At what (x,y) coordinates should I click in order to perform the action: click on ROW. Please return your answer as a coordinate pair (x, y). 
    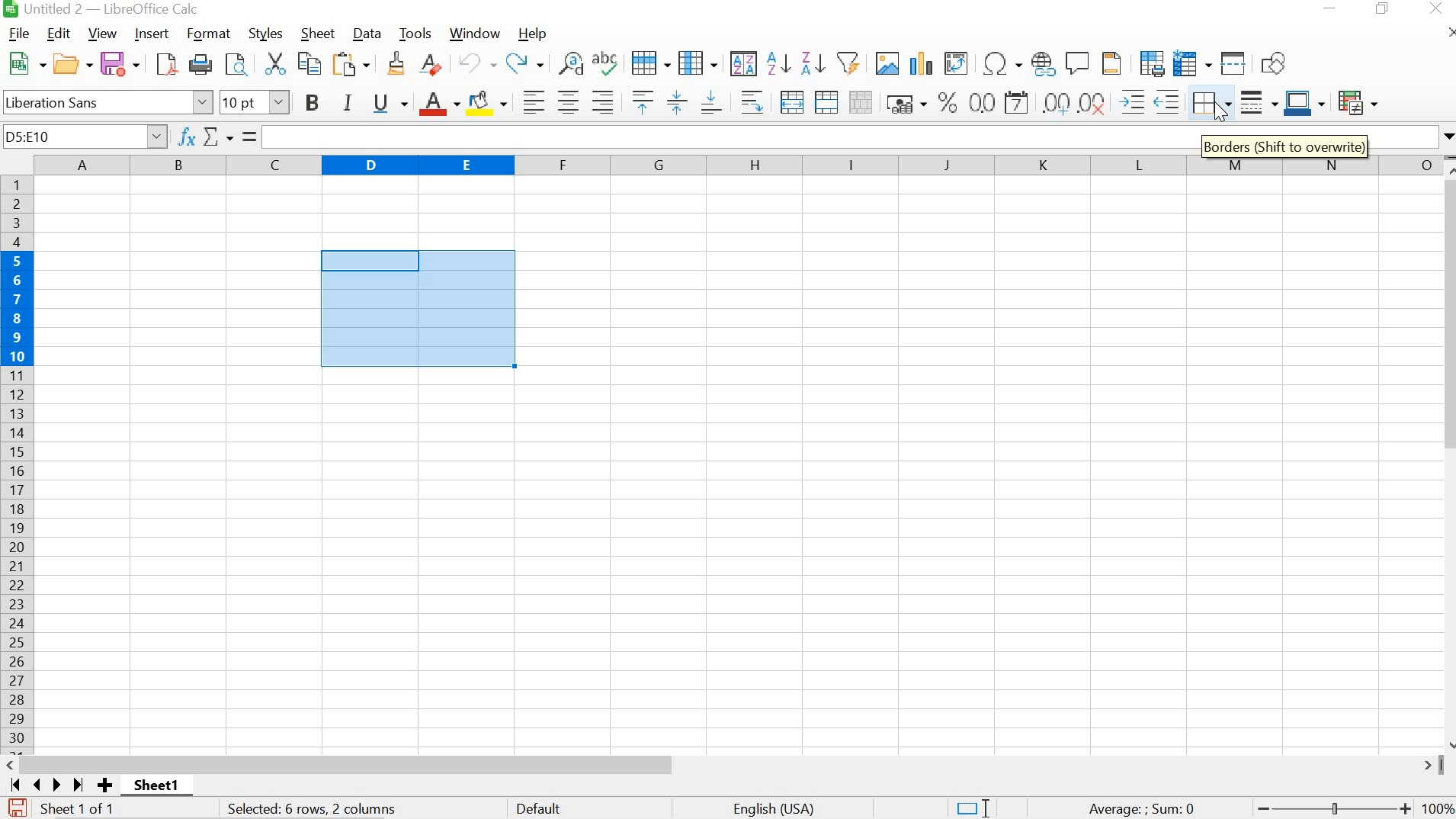
    Looking at the image, I should click on (651, 64).